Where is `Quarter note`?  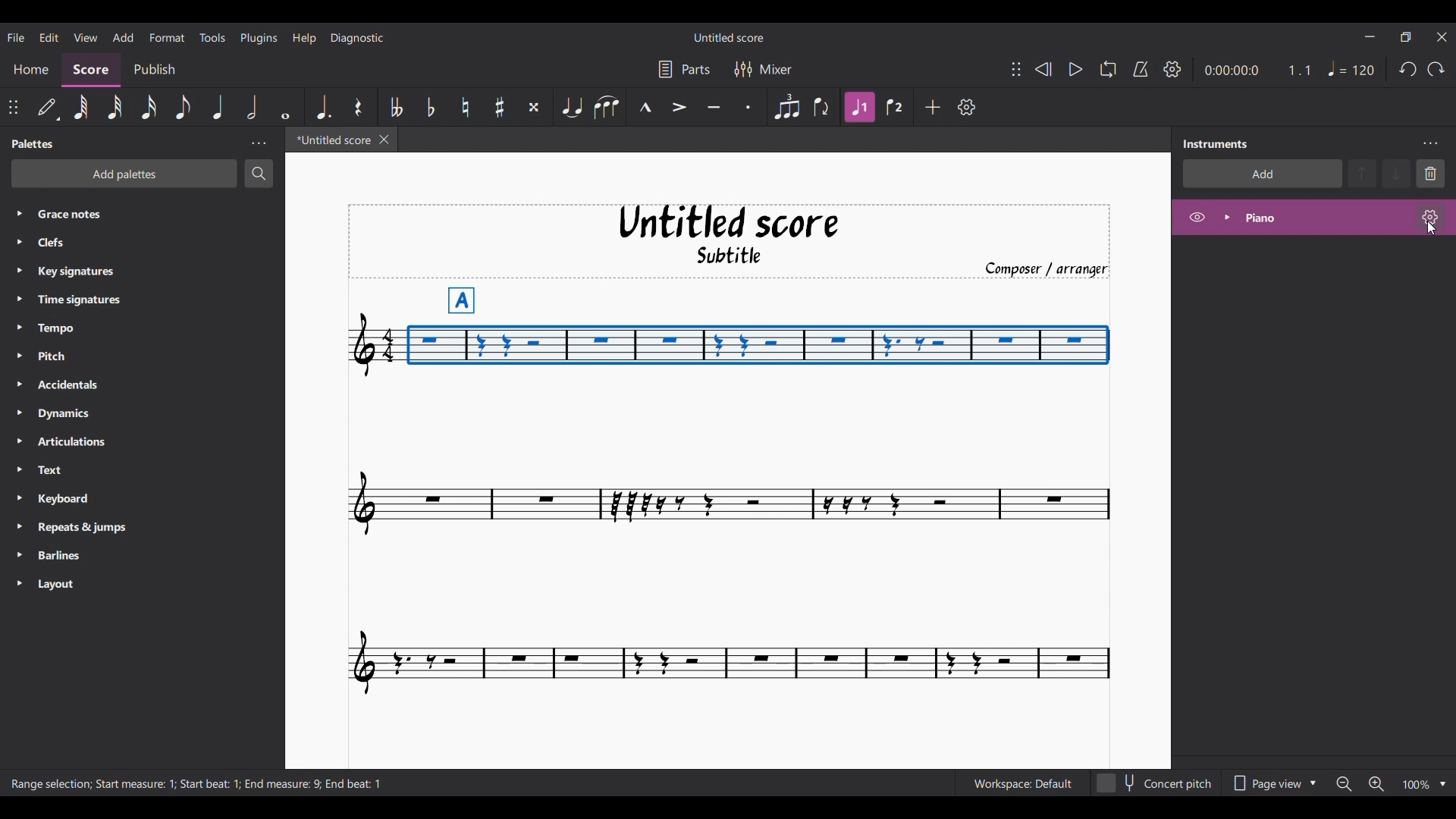
Quarter note is located at coordinates (218, 107).